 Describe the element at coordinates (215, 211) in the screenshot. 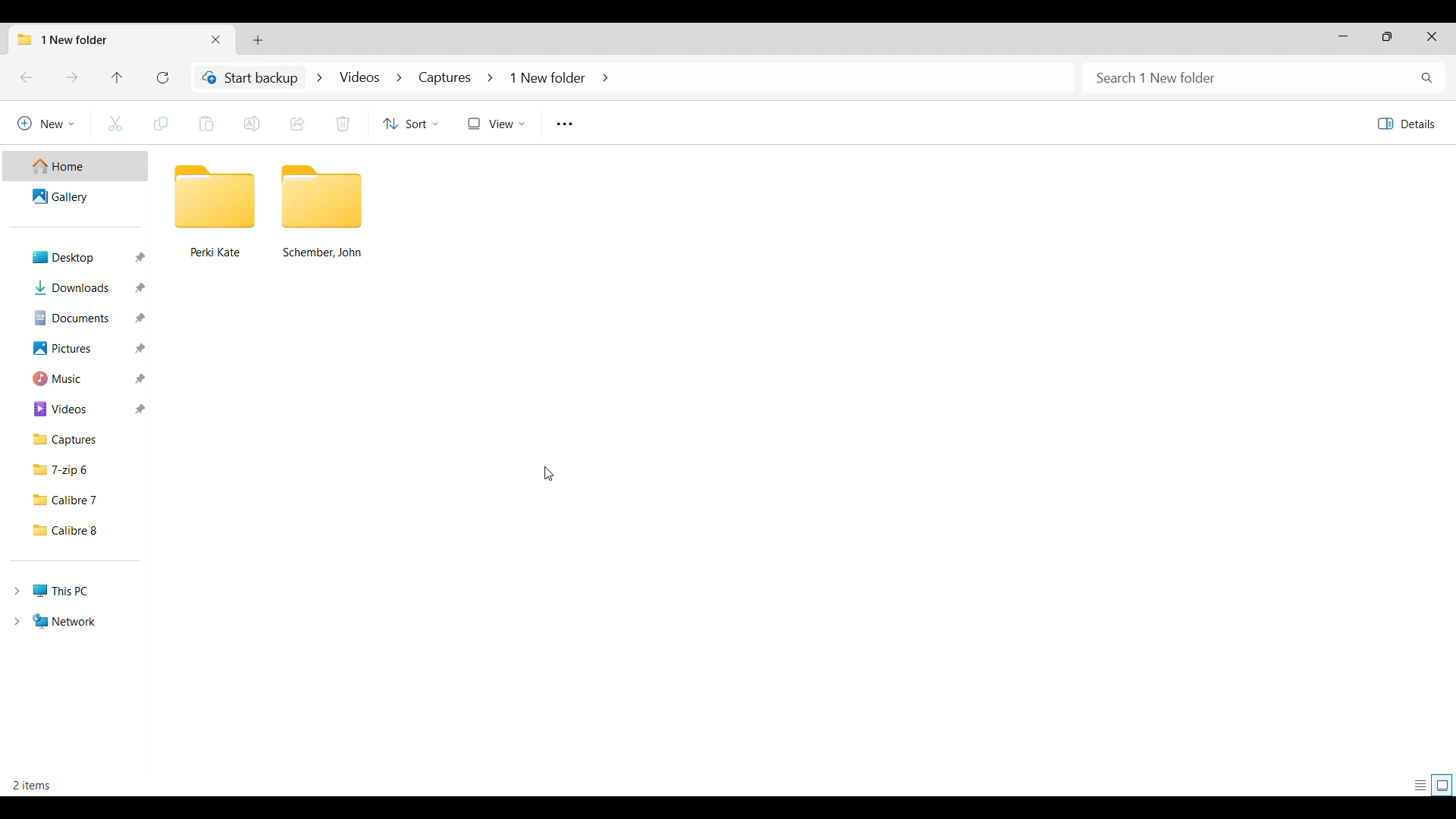

I see `perki kate` at that location.